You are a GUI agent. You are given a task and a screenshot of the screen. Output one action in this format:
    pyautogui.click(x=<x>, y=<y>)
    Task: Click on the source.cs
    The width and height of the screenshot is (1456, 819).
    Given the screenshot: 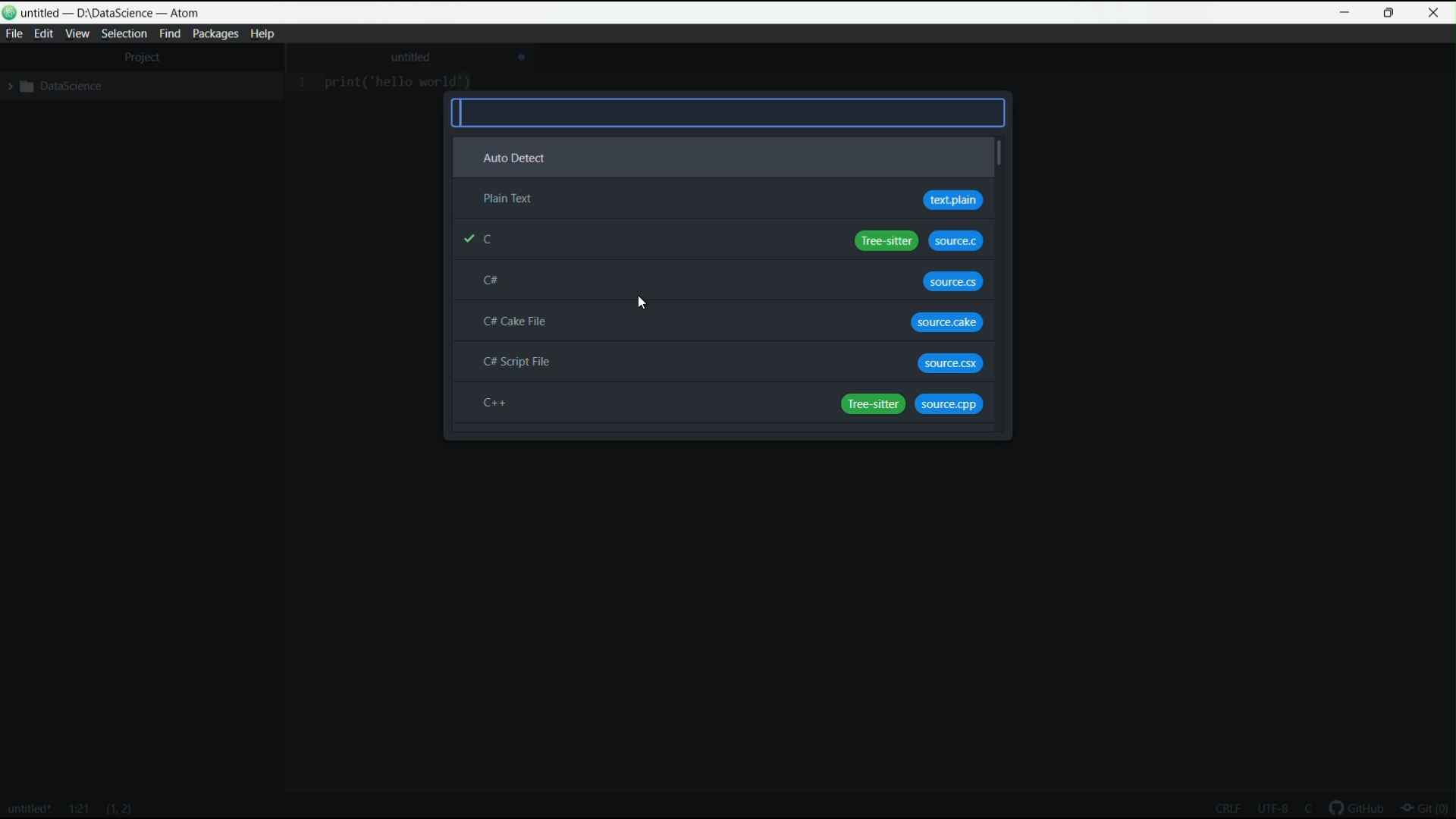 What is the action you would take?
    pyautogui.click(x=953, y=282)
    